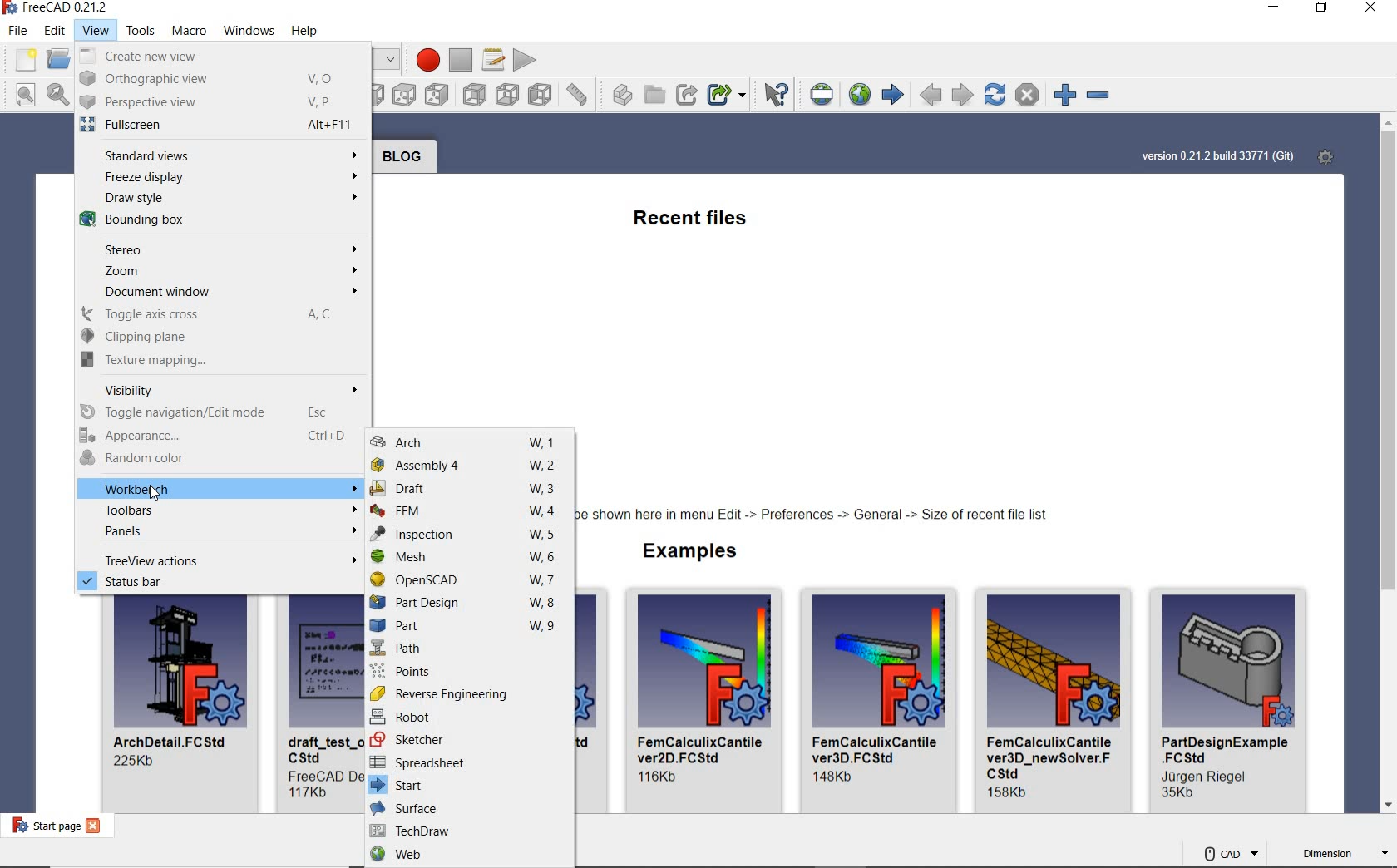 This screenshot has height=868, width=1397. What do you see at coordinates (220, 485) in the screenshot?
I see `workbench` at bounding box center [220, 485].